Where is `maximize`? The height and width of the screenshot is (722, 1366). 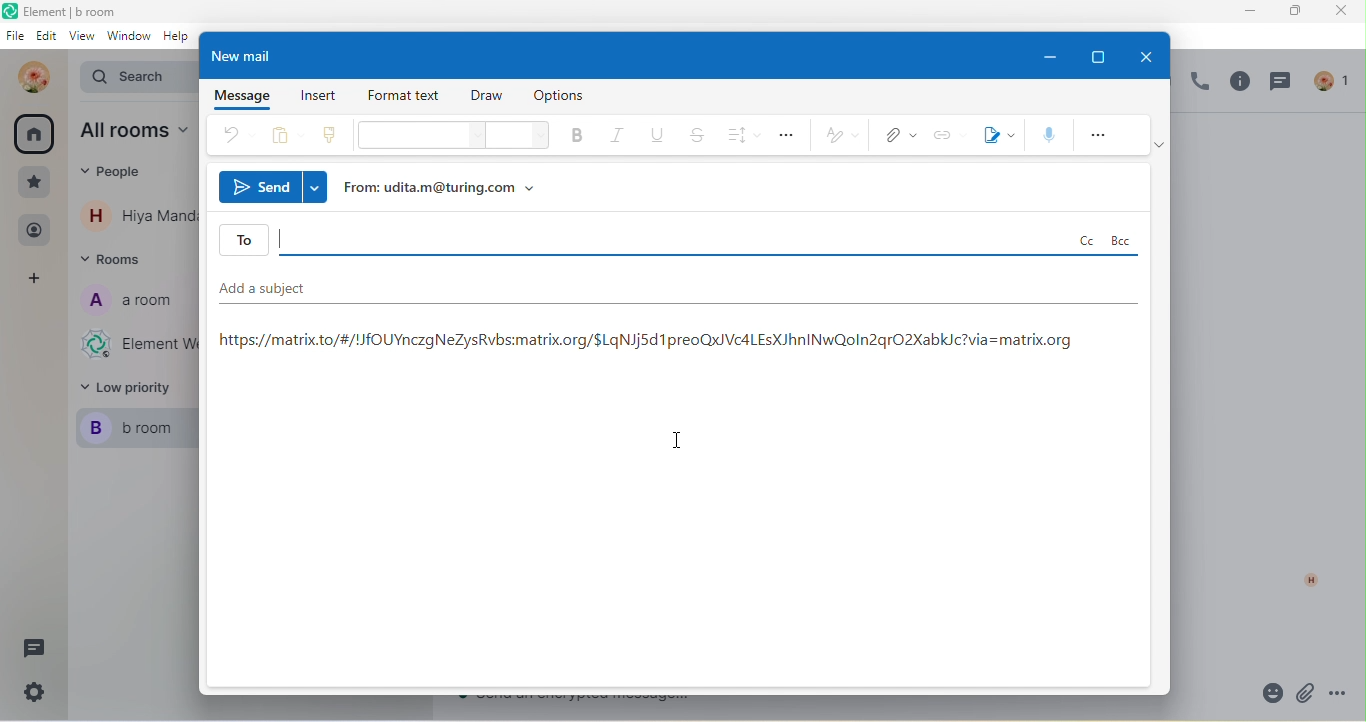 maximize is located at coordinates (1291, 12).